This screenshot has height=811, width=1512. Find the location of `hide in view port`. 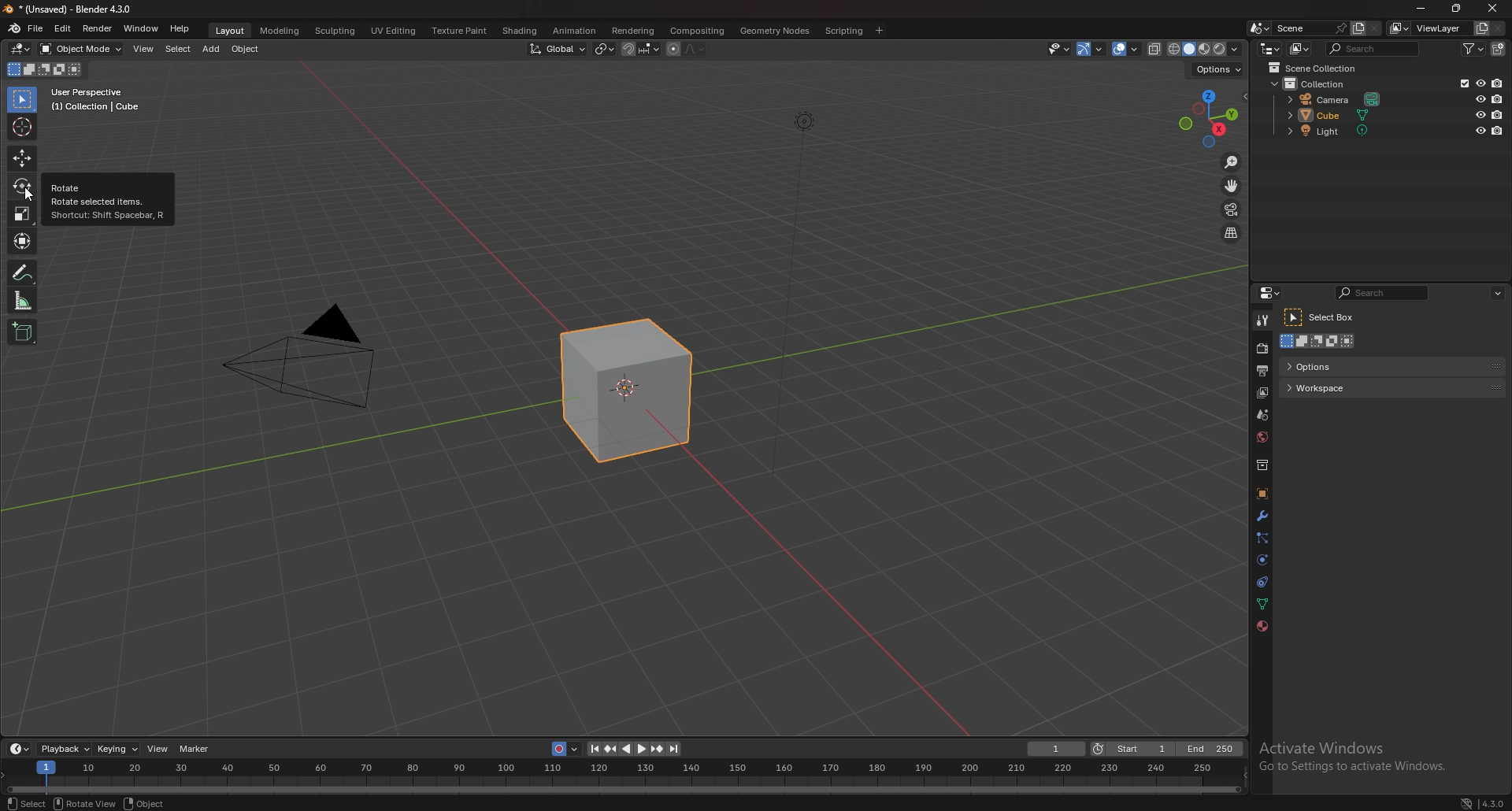

hide in view port is located at coordinates (1482, 114).